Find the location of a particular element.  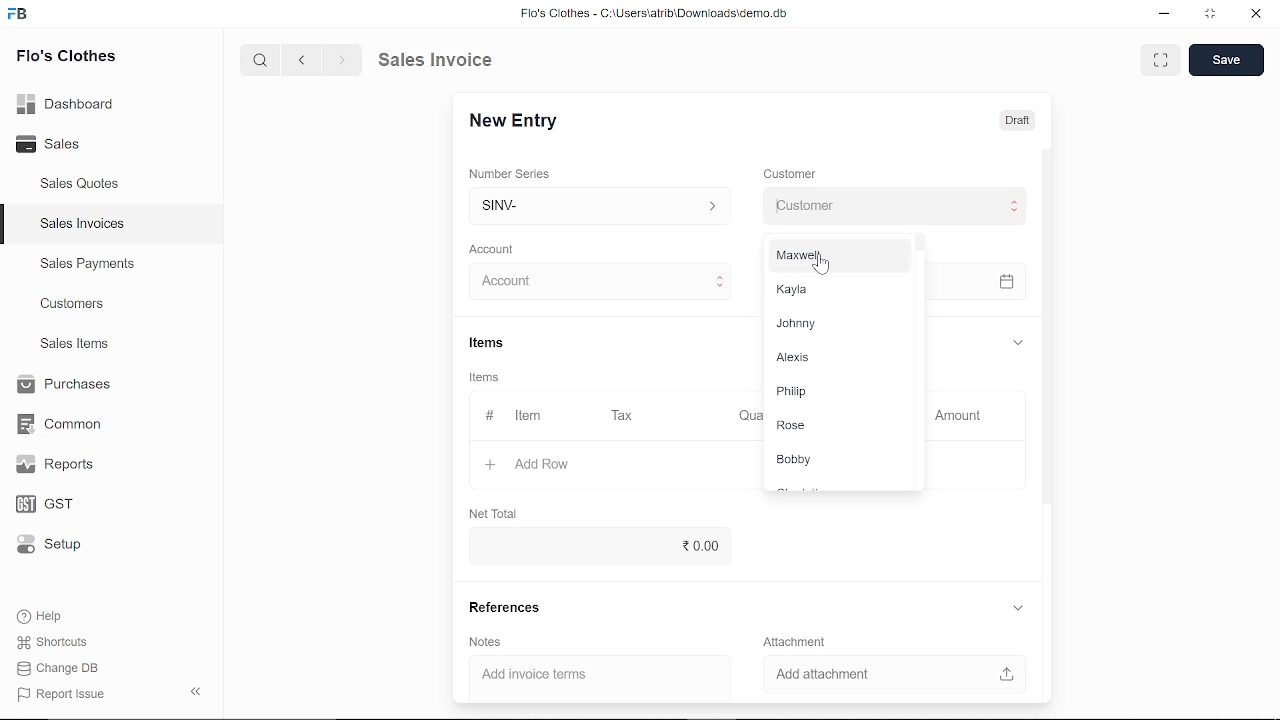

Add attachment is located at coordinates (890, 675).